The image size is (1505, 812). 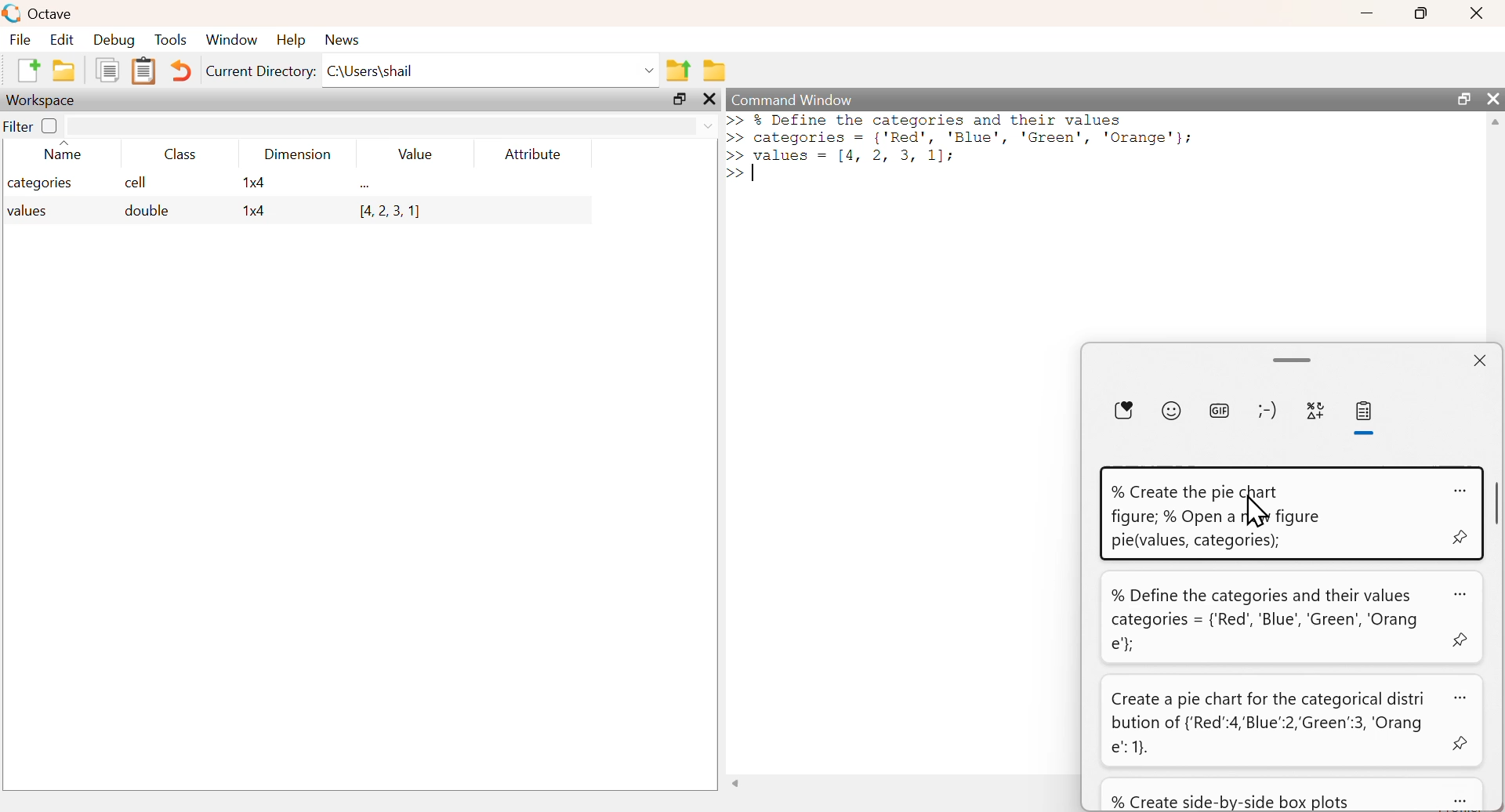 I want to click on File, so click(x=20, y=38).